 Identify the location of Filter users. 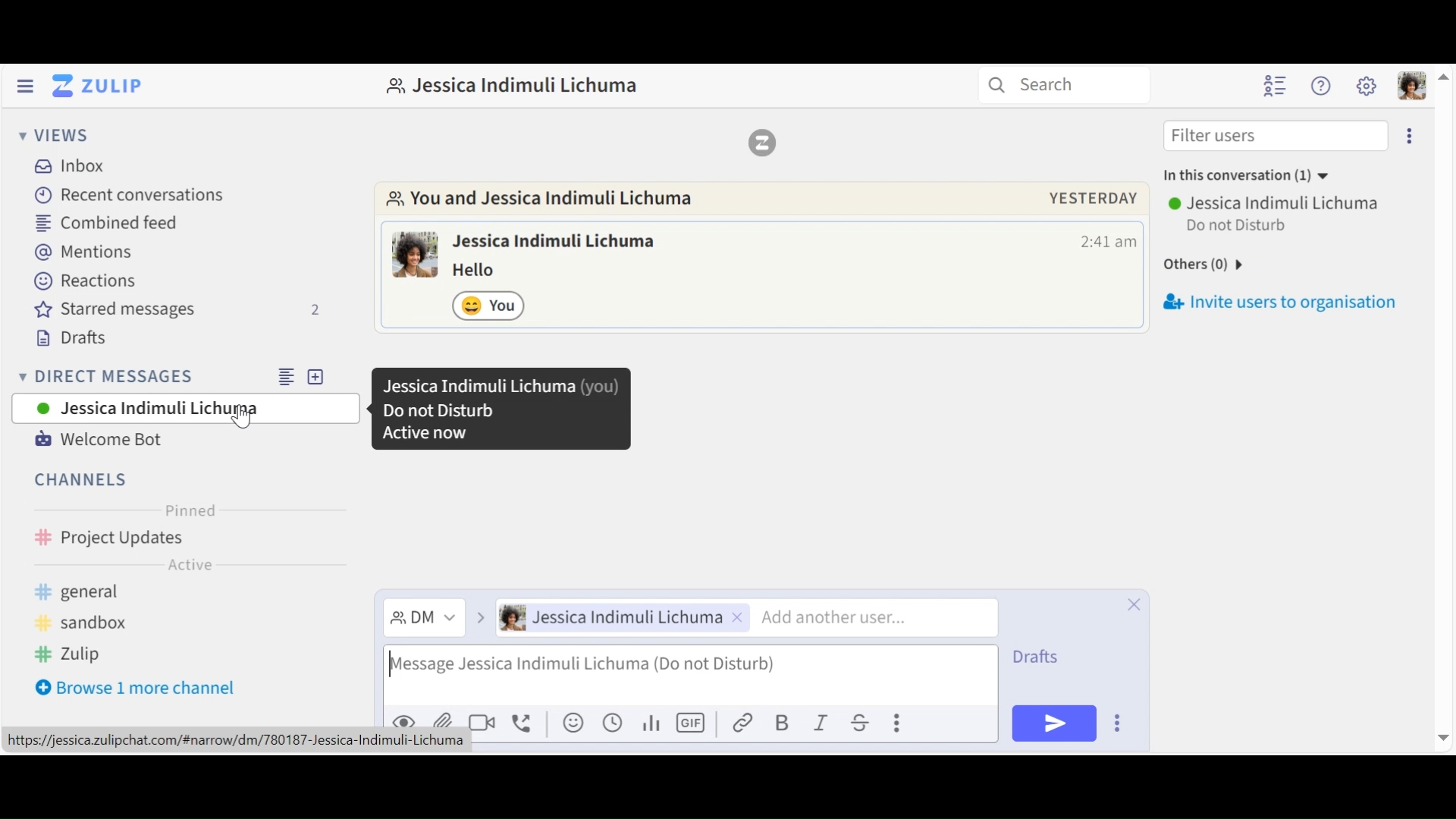
(1275, 135).